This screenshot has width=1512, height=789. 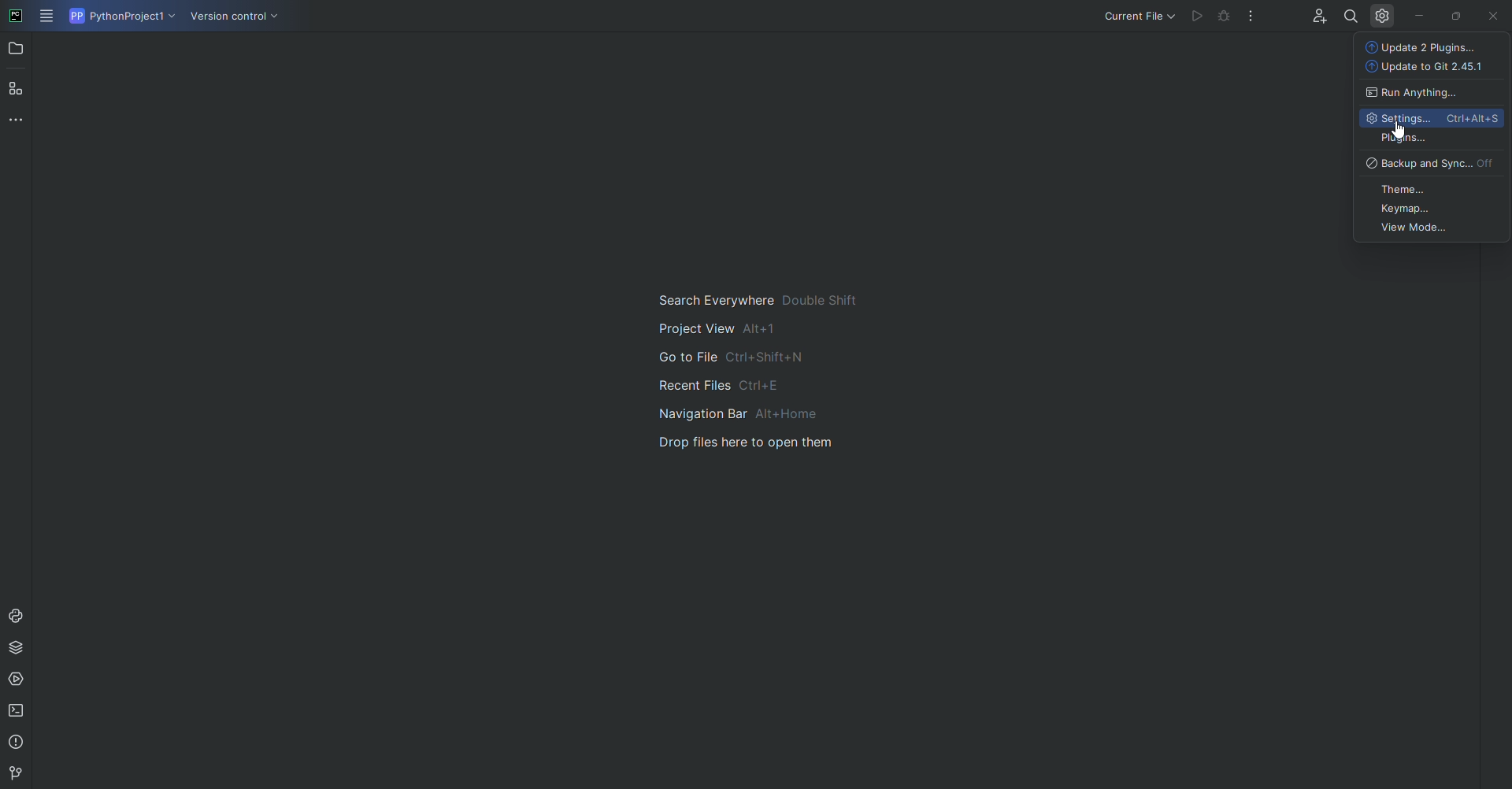 What do you see at coordinates (1491, 17) in the screenshot?
I see `Close` at bounding box center [1491, 17].